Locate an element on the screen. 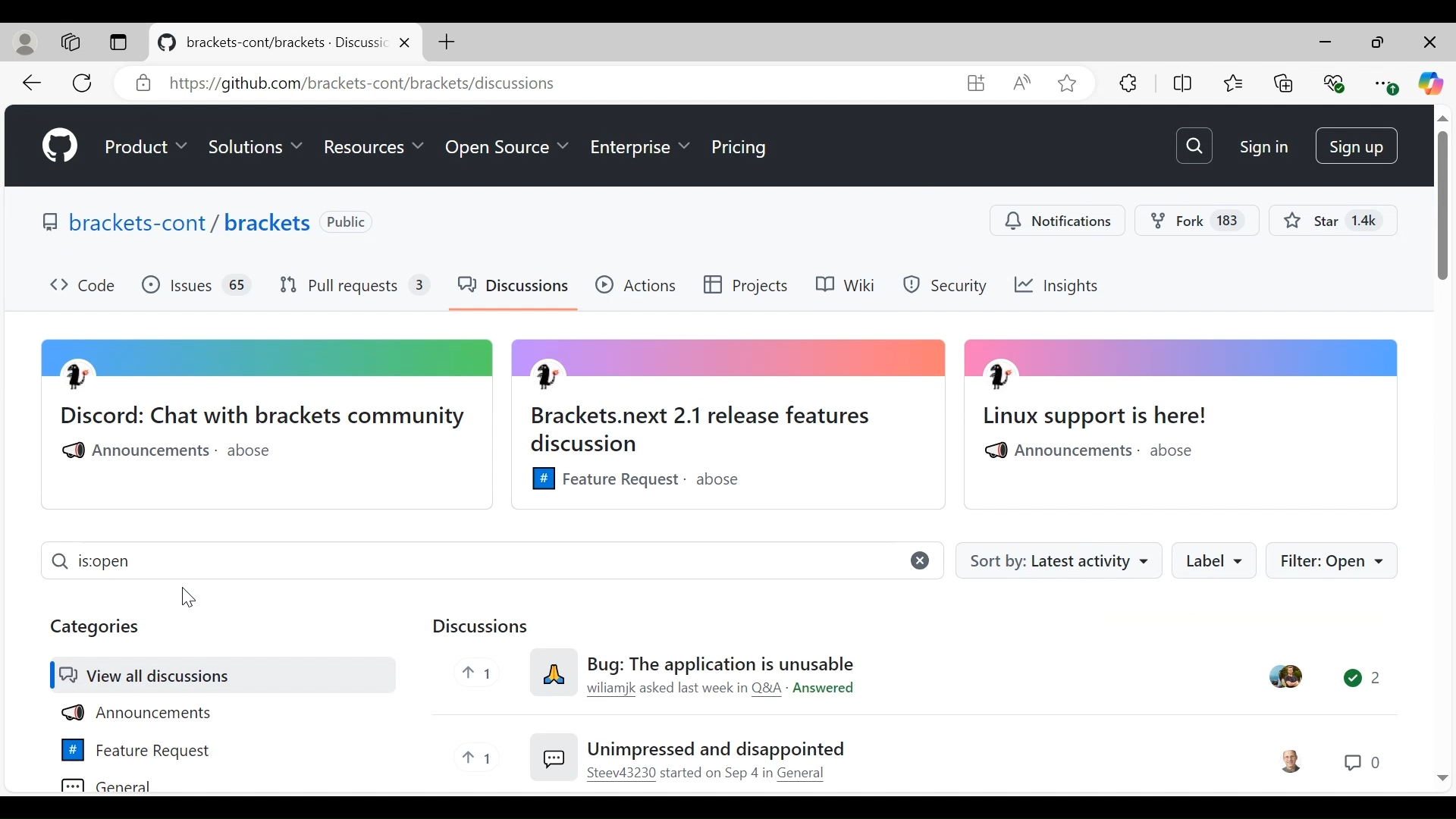 This screenshot has height=819, width=1456. Announcements is located at coordinates (220, 711).